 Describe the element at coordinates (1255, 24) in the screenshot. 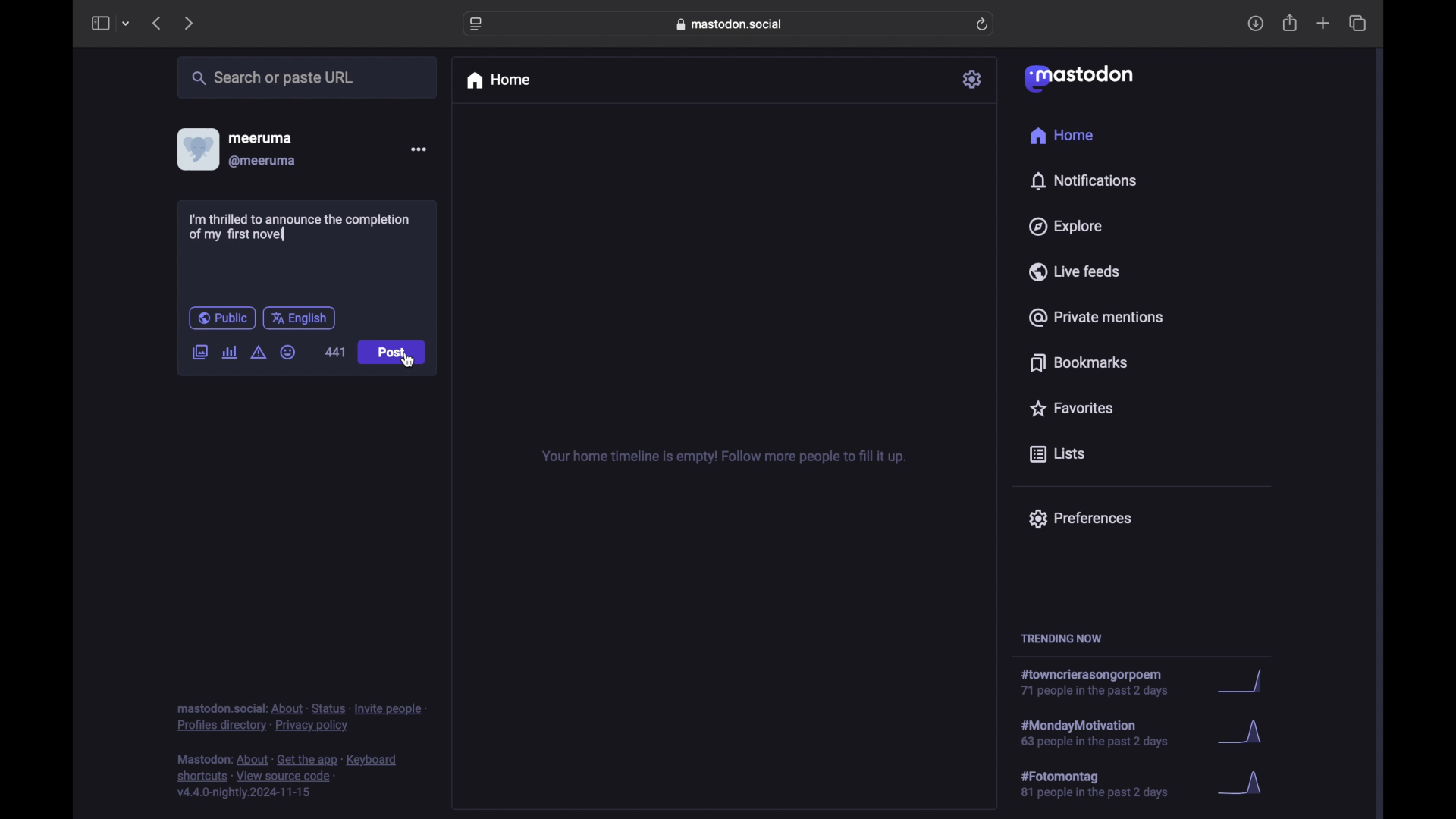

I see `downloads` at that location.